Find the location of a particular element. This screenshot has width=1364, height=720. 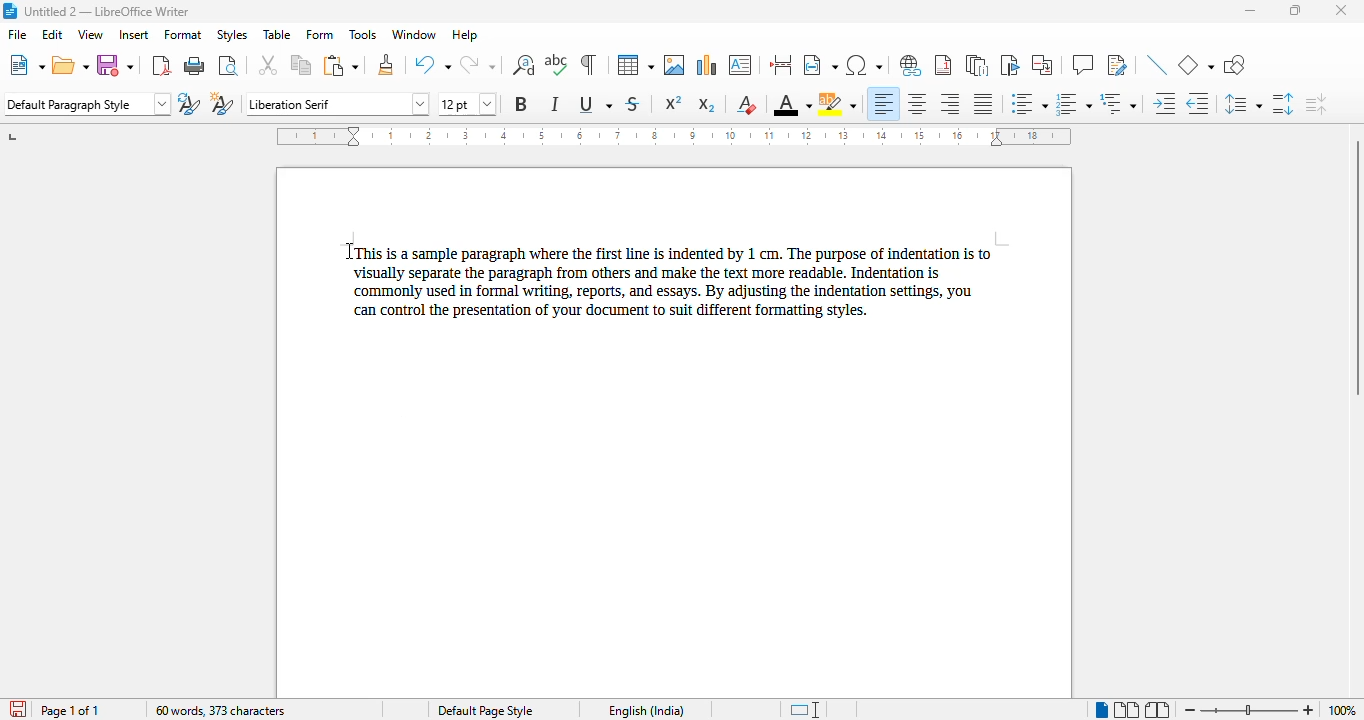

zoom factor is located at coordinates (1342, 710).